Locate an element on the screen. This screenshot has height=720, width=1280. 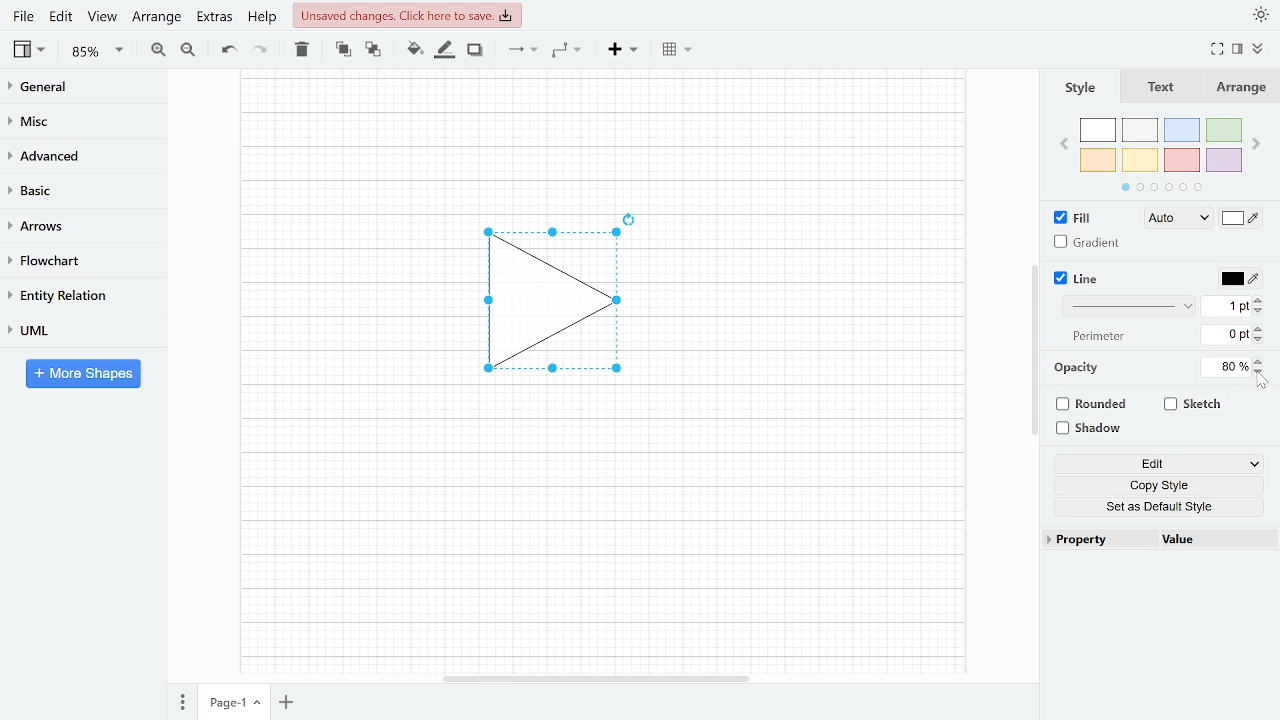
Page options is located at coordinates (260, 705).